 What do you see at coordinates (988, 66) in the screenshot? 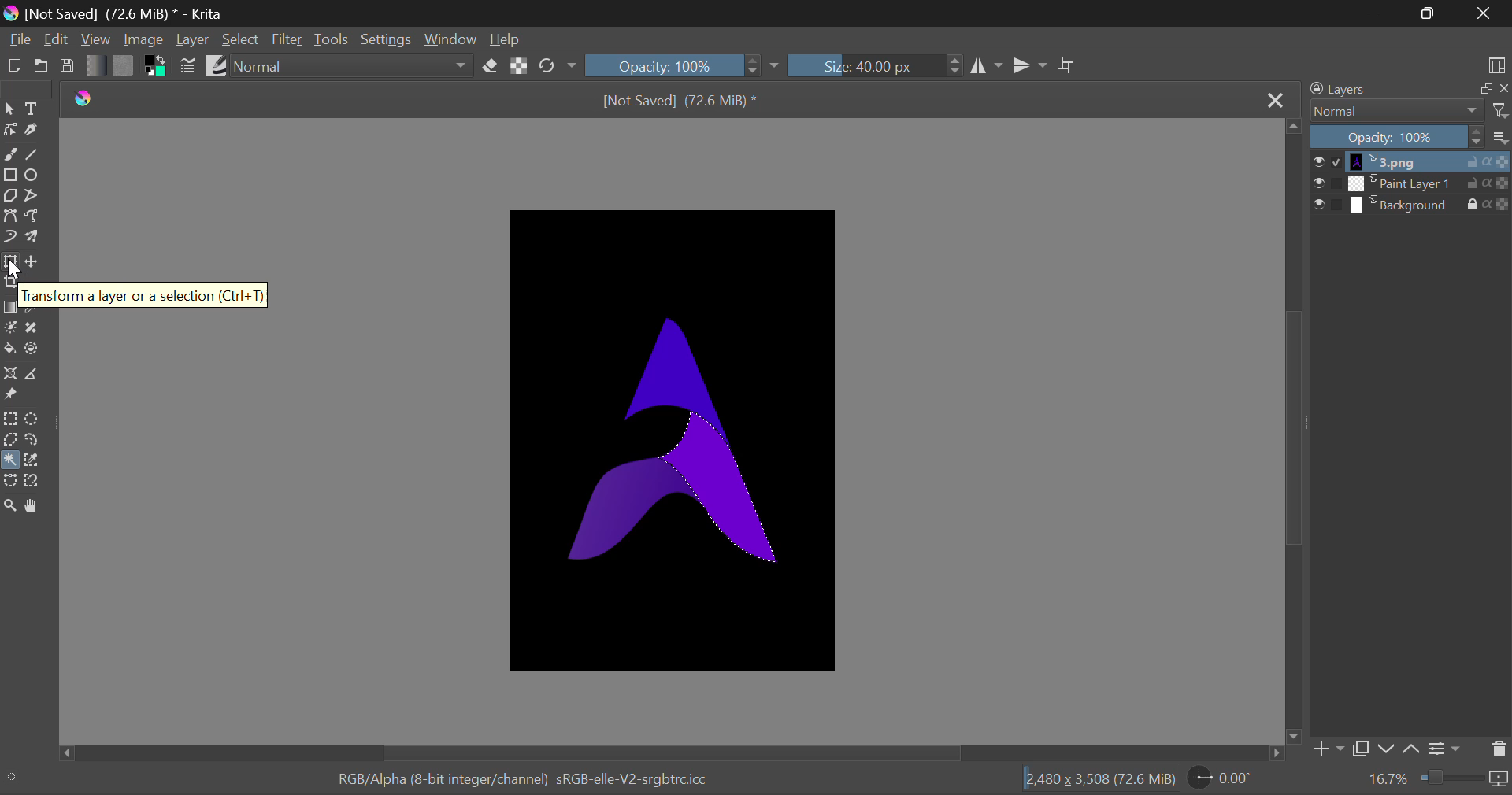
I see `Vertical Mirror Flip` at bounding box center [988, 66].